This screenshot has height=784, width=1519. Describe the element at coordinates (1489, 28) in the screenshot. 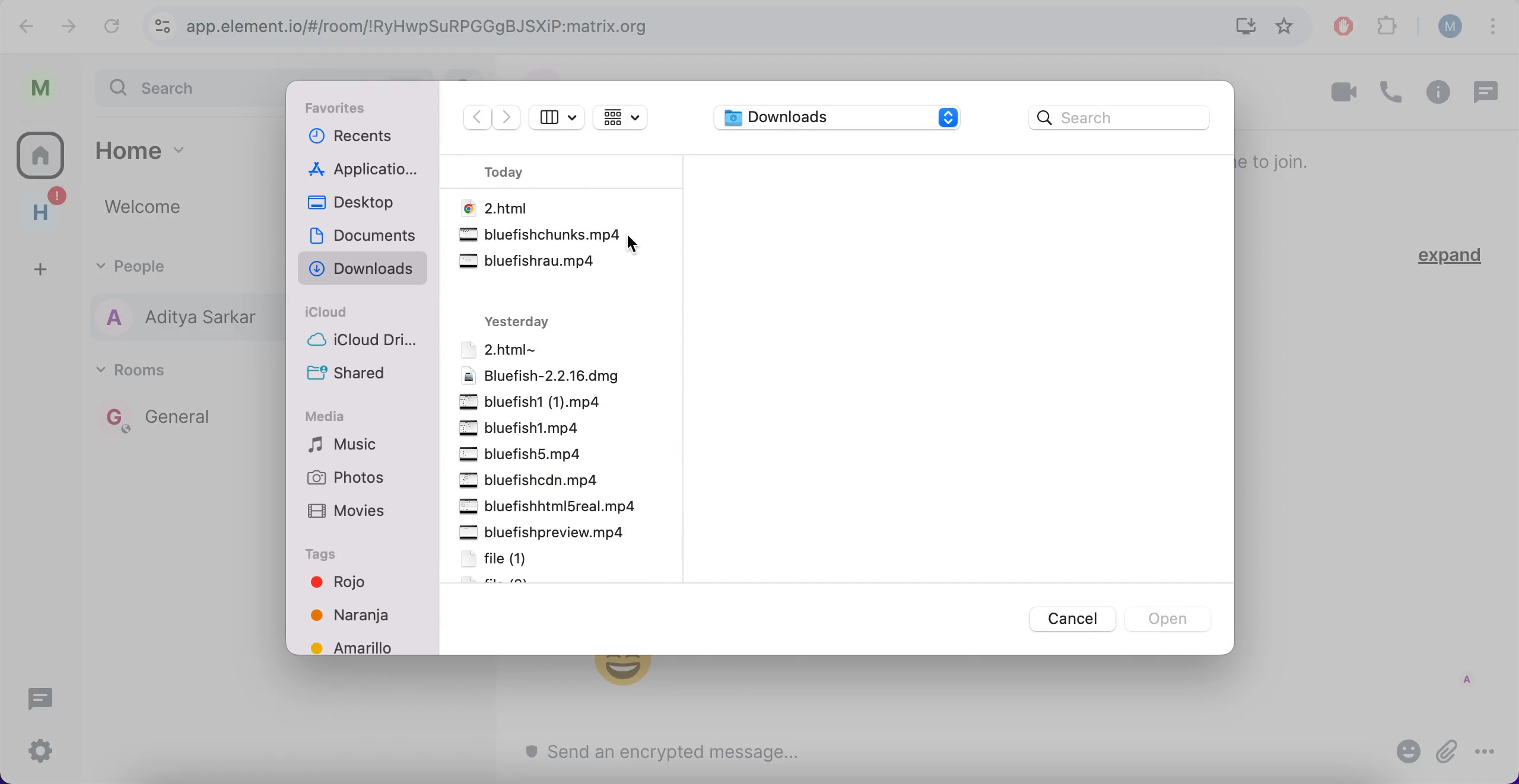

I see `list all tabs` at that location.